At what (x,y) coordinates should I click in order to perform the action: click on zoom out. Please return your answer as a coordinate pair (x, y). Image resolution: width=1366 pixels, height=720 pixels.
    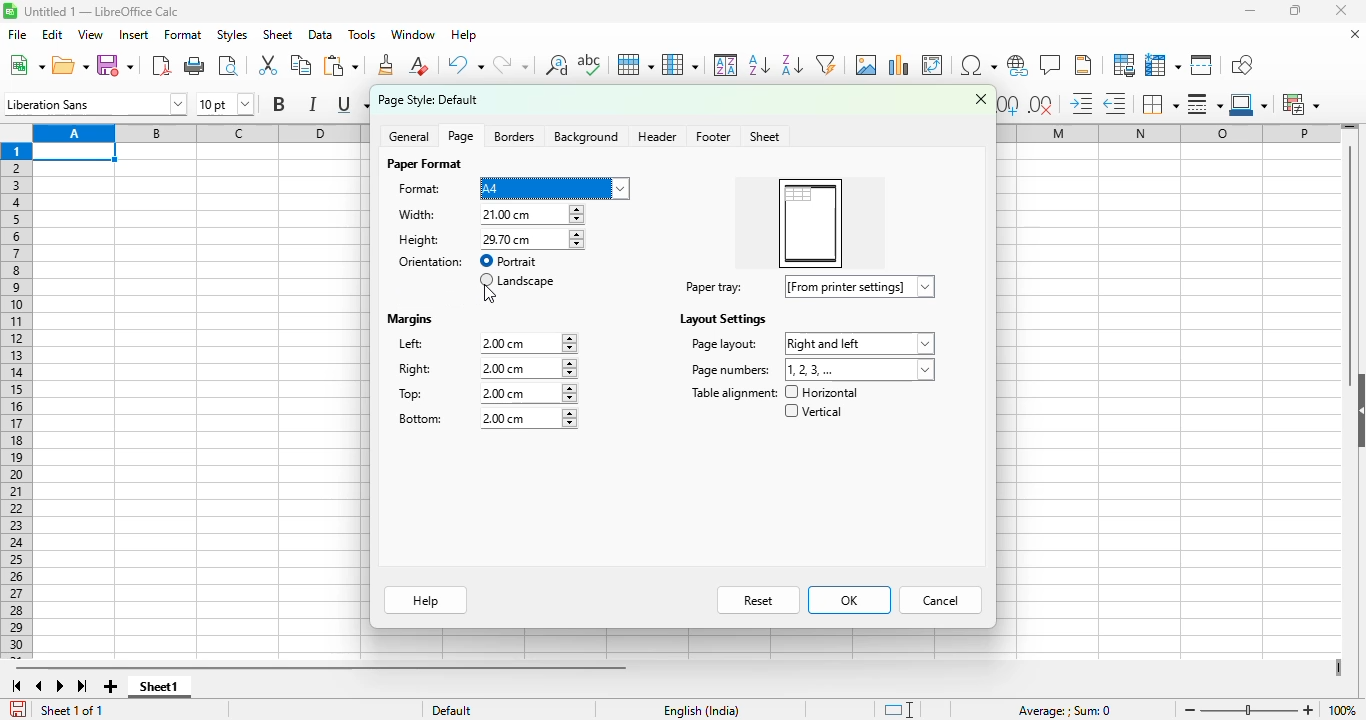
    Looking at the image, I should click on (1190, 710).